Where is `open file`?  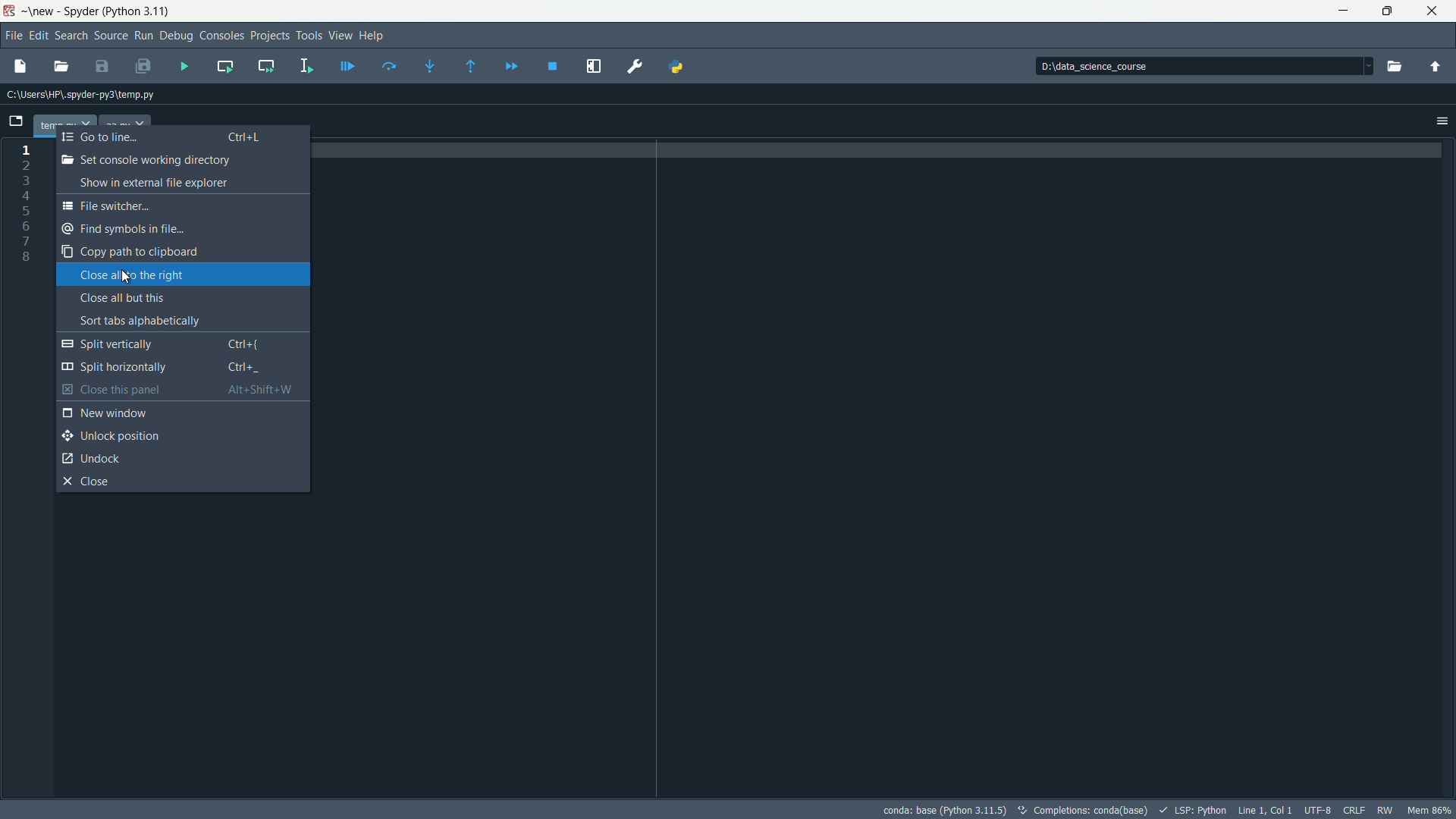 open file is located at coordinates (61, 65).